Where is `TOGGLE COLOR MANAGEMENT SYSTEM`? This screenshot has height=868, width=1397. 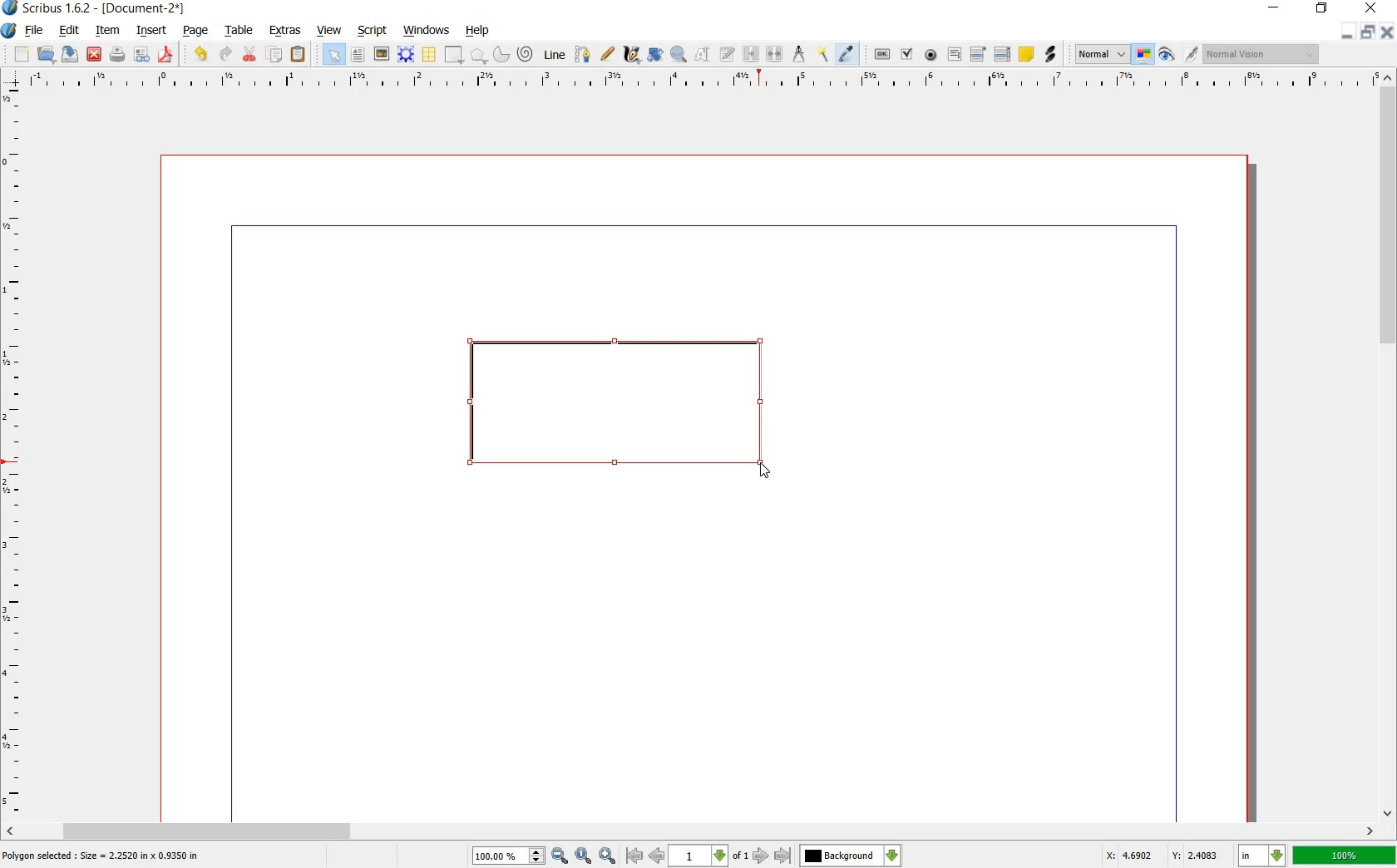
TOGGLE COLOR MANAGEMENT SYSTEM is located at coordinates (1145, 56).